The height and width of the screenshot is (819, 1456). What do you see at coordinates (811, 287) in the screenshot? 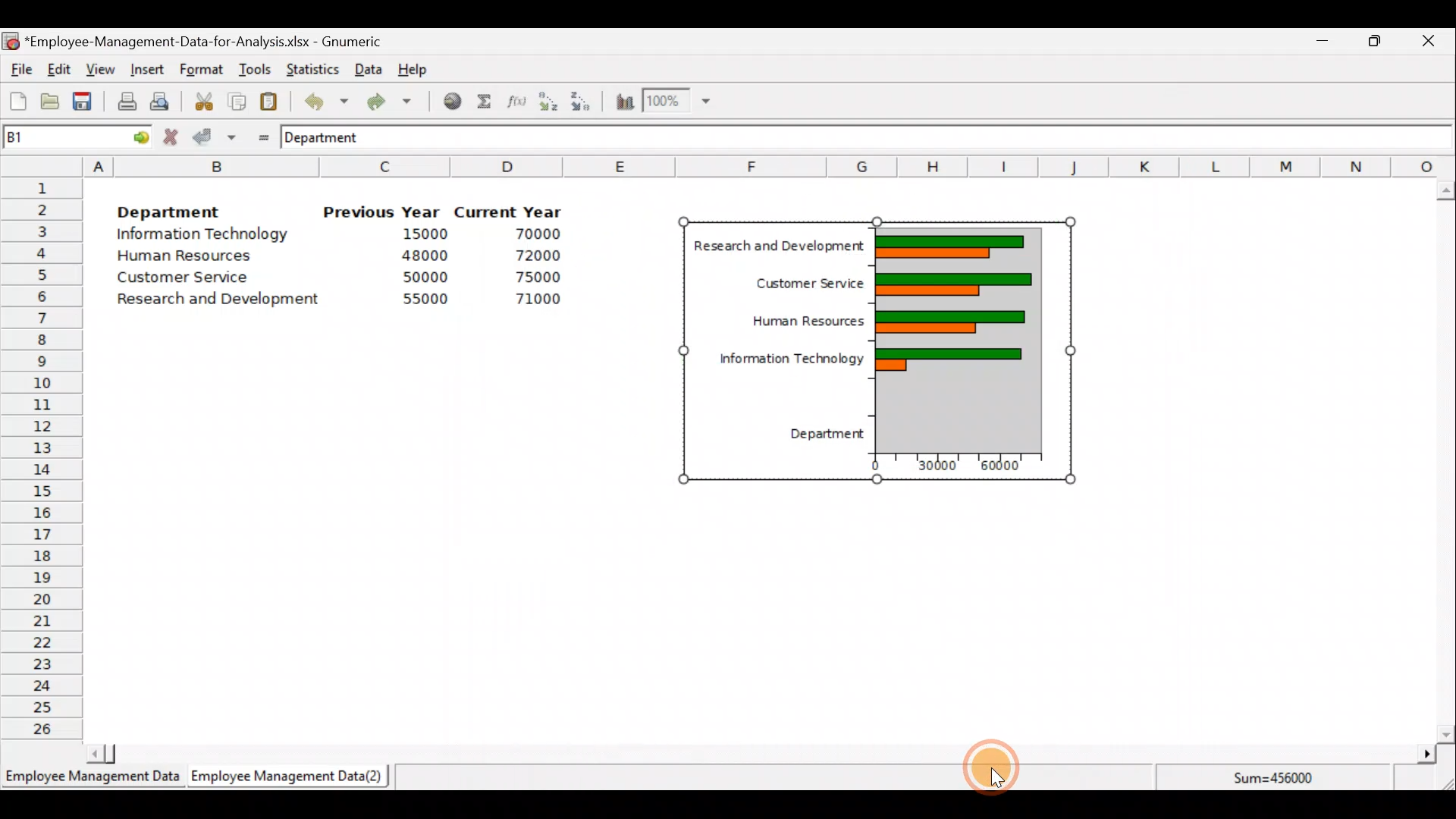
I see `Customer Service` at bounding box center [811, 287].